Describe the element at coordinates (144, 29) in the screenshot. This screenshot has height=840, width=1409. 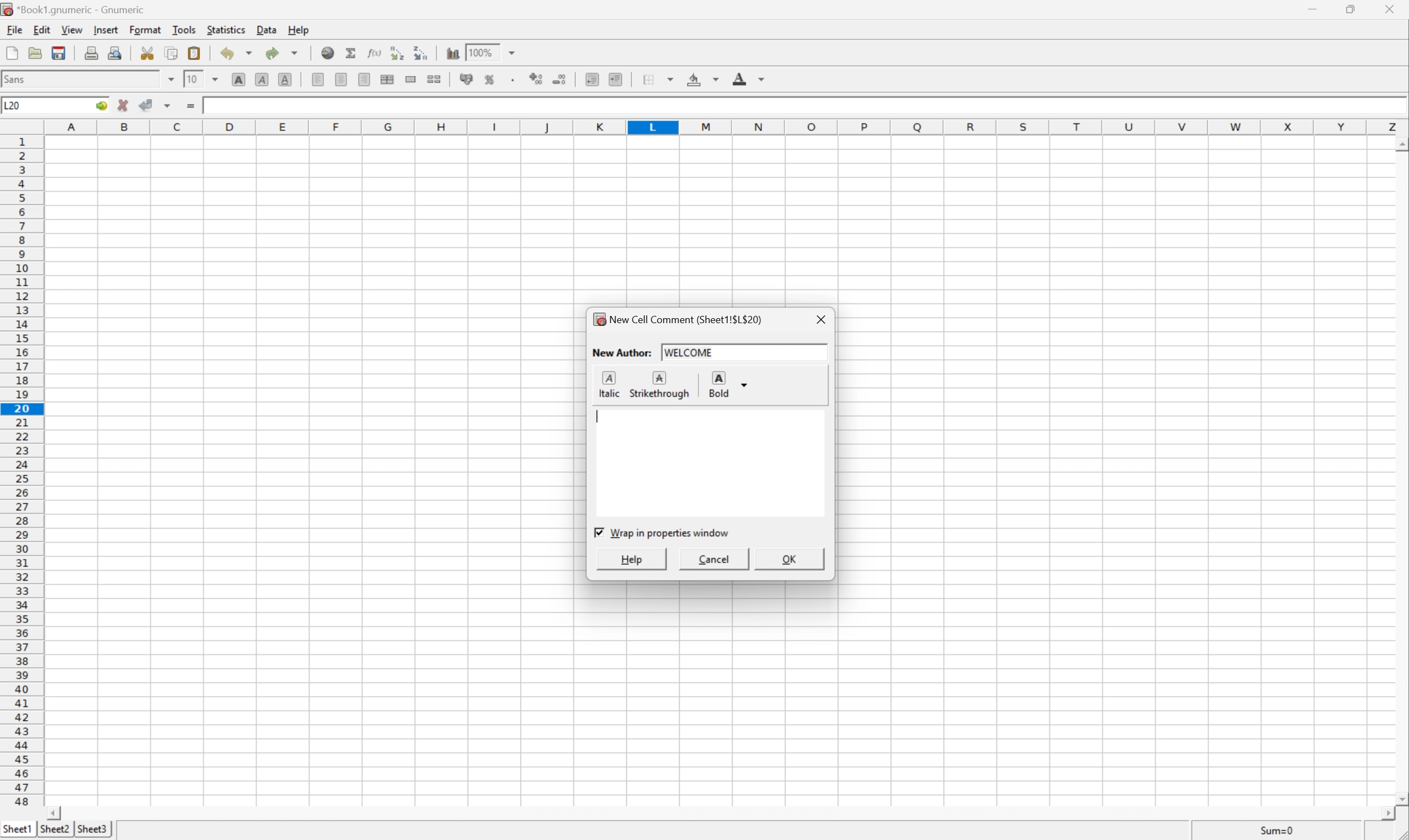
I see `Format` at that location.